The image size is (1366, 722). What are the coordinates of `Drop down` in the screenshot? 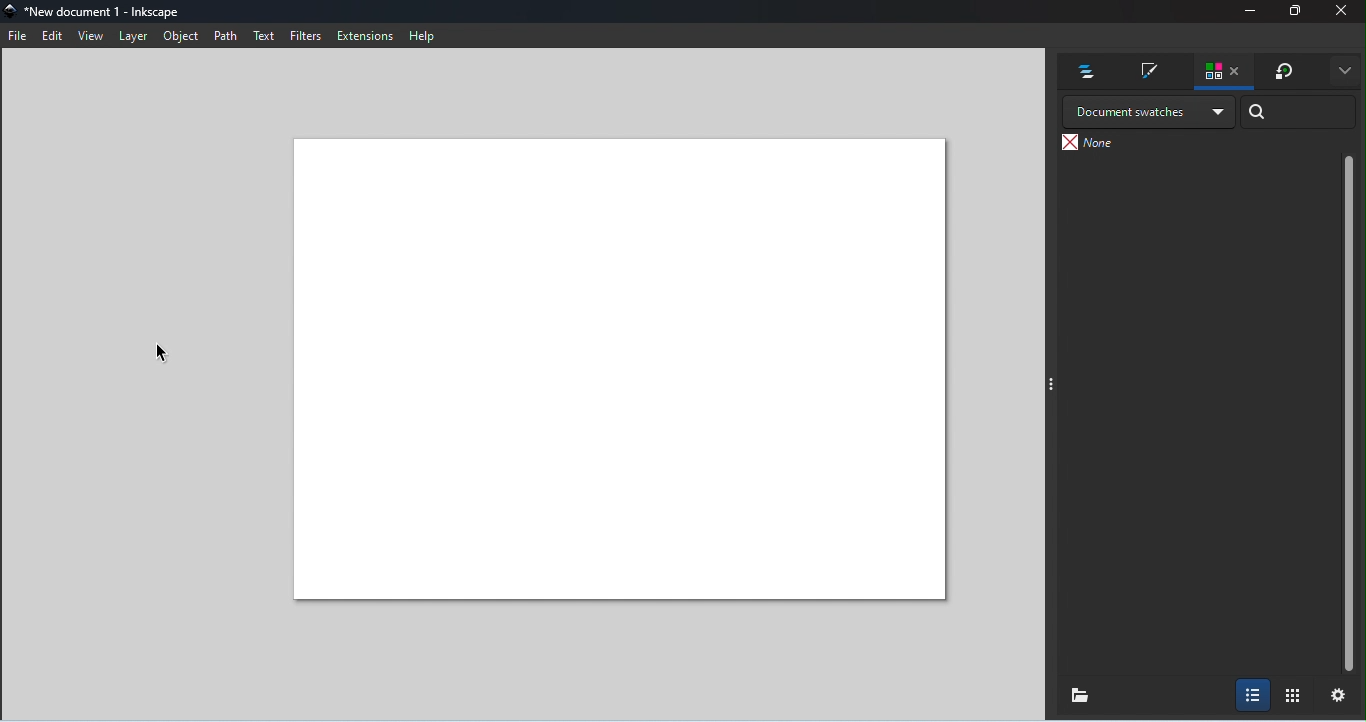 It's located at (1145, 111).